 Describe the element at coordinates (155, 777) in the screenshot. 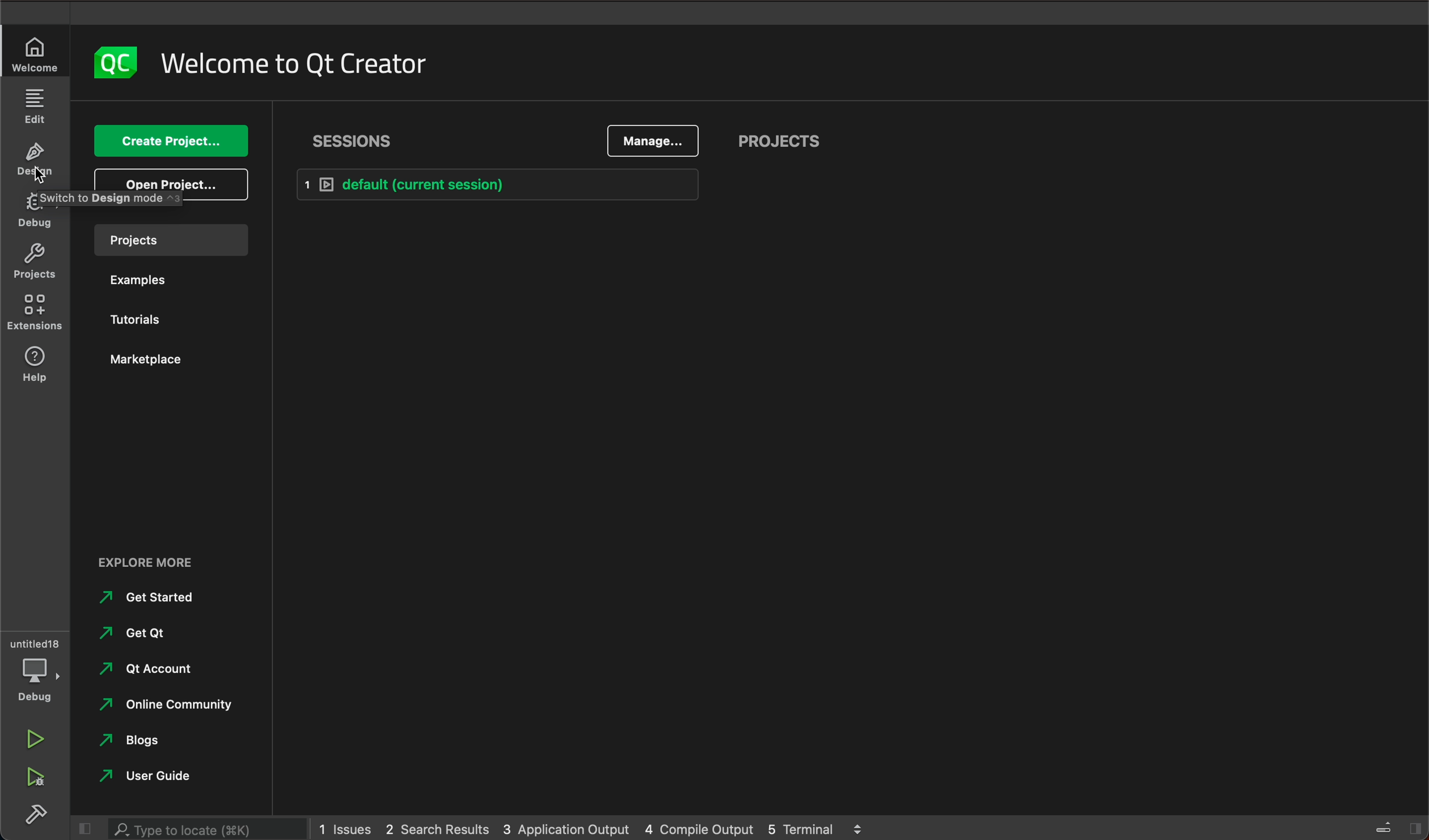

I see `user ` at that location.